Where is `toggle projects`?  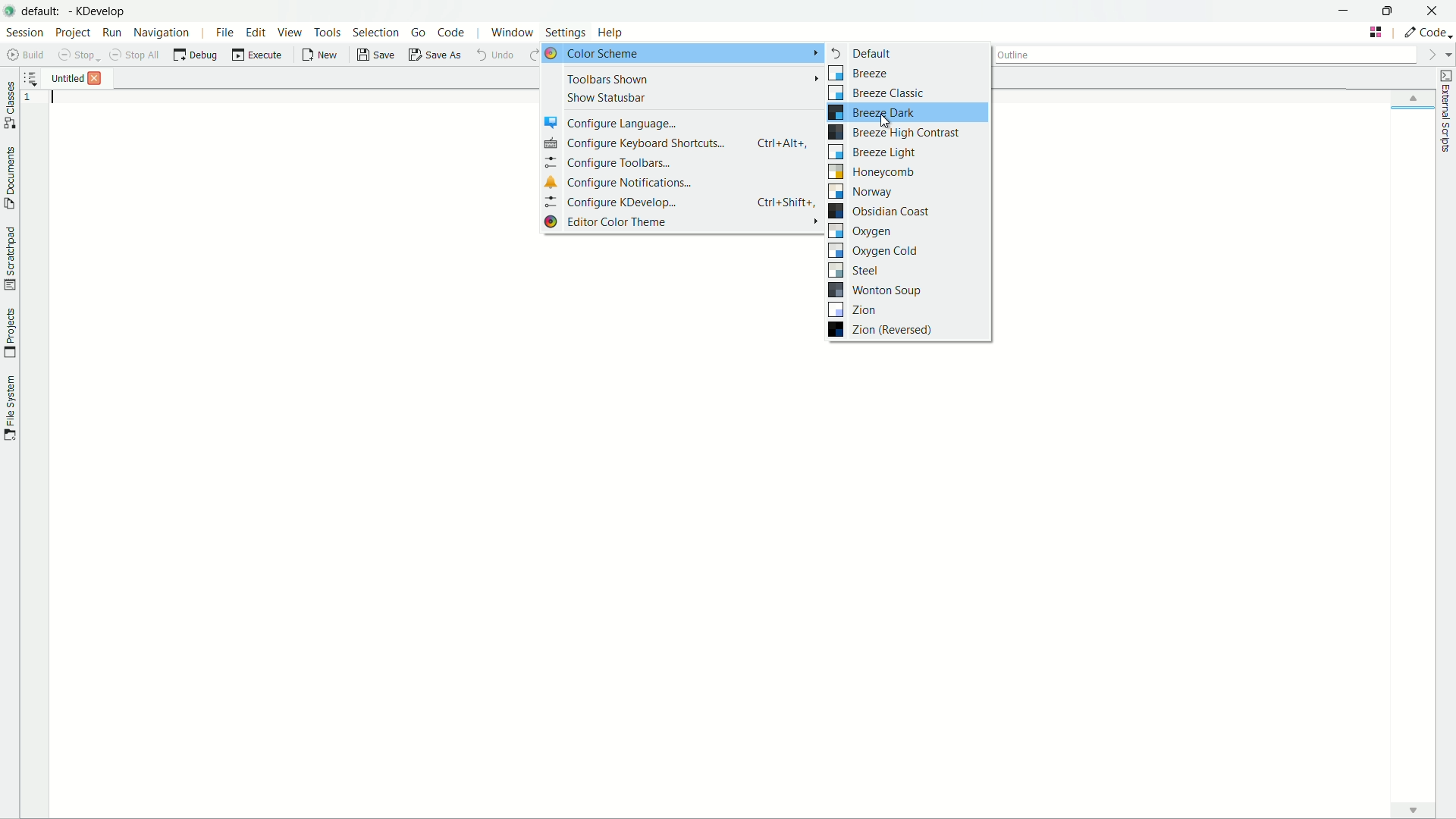 toggle projects is located at coordinates (10, 333).